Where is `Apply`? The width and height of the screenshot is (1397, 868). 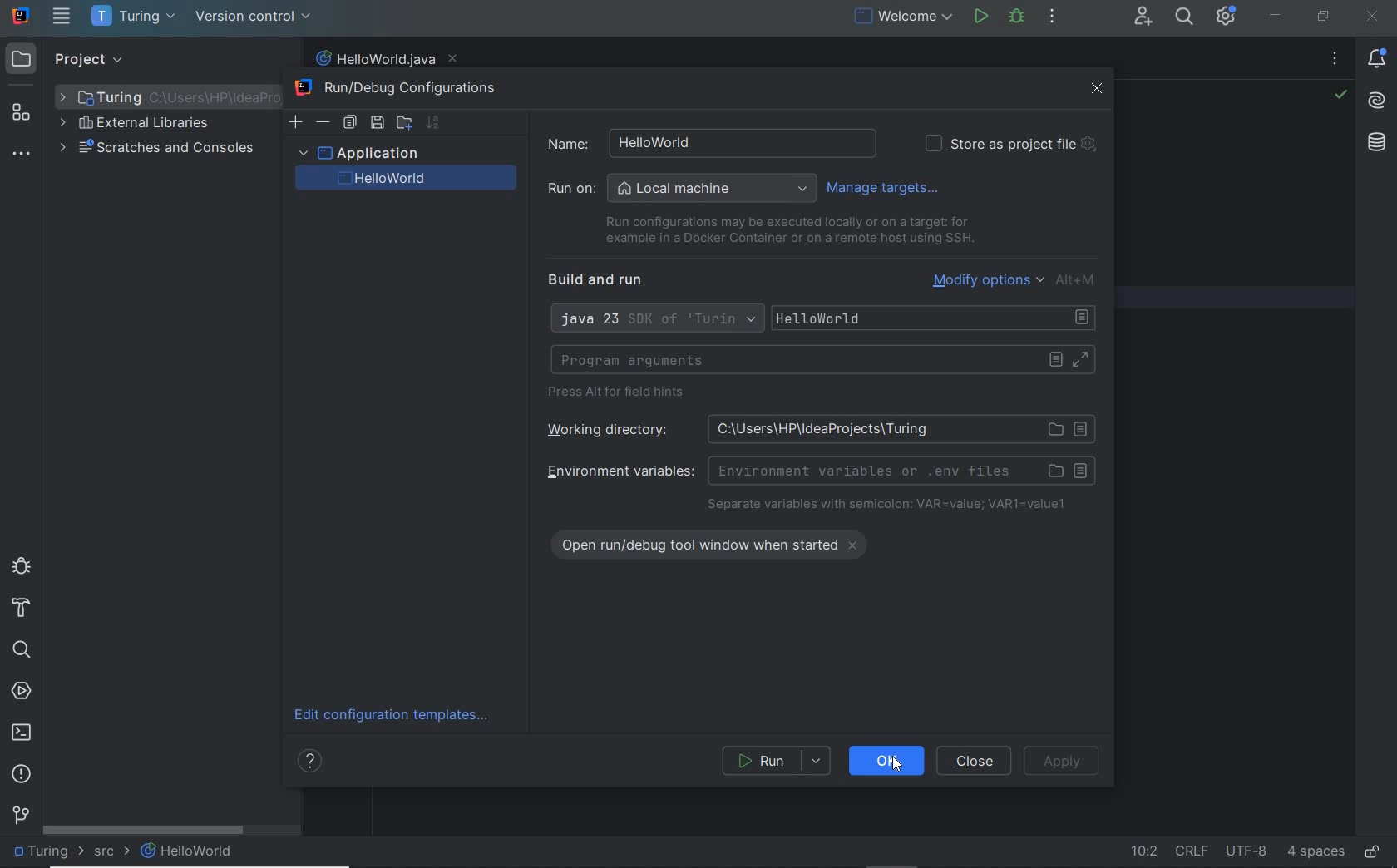
Apply is located at coordinates (1062, 763).